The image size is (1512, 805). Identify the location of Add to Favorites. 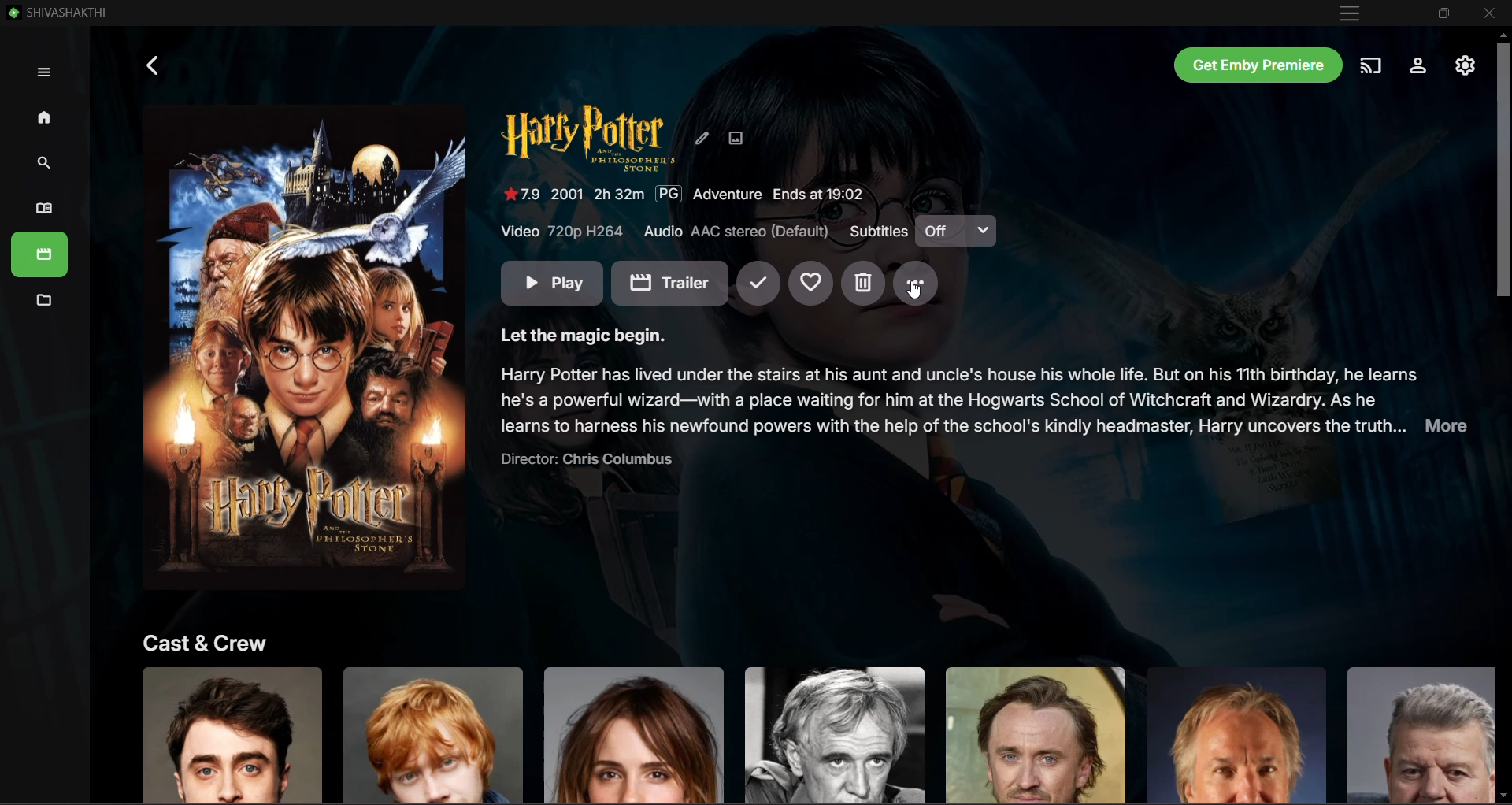
(810, 284).